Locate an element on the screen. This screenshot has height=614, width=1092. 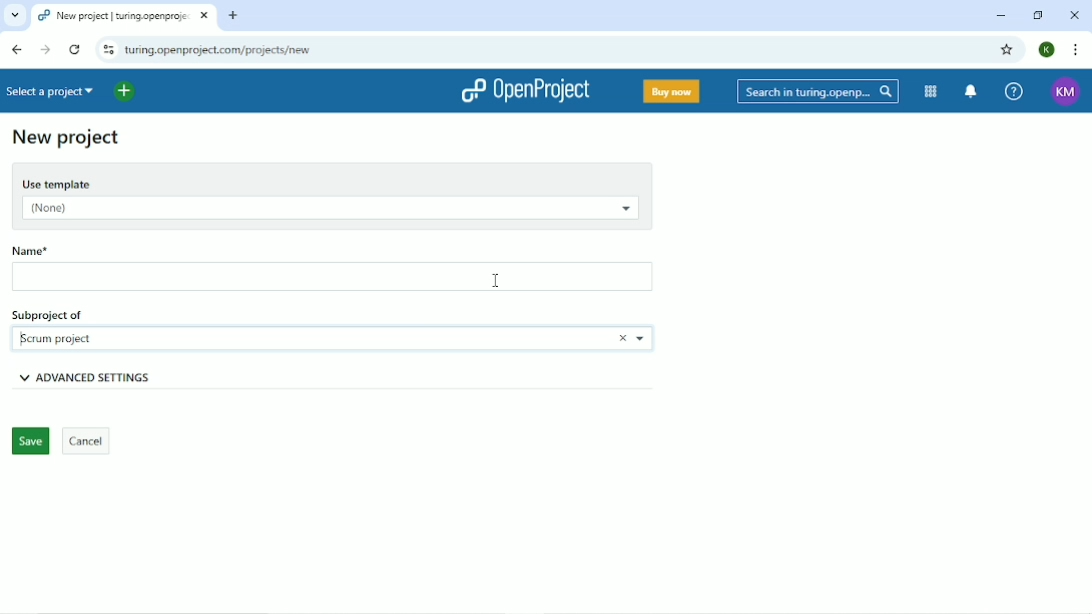
OpenProject is located at coordinates (526, 91).